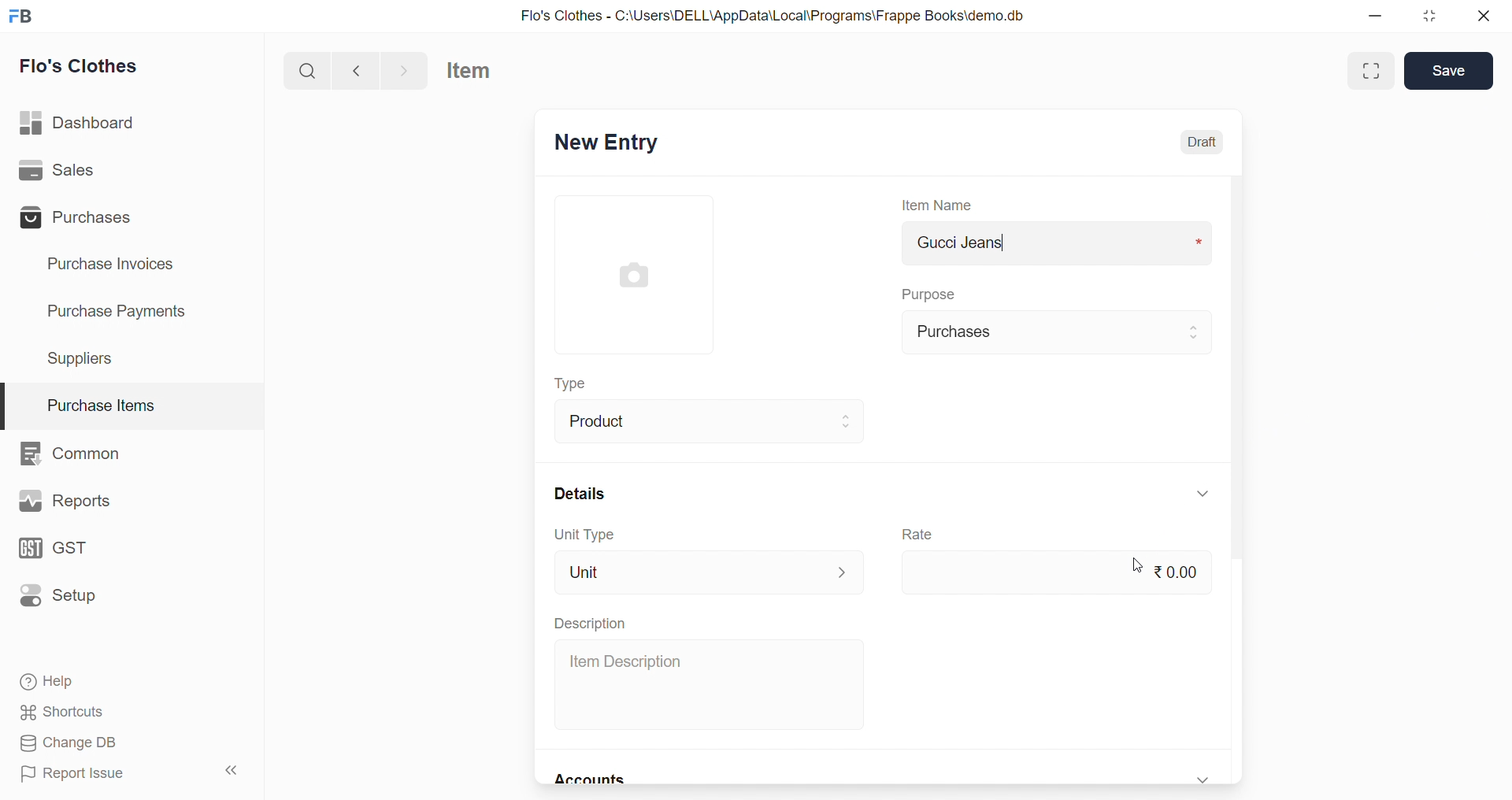 Image resolution: width=1512 pixels, height=800 pixels. I want to click on Purchase Invoices, so click(121, 265).